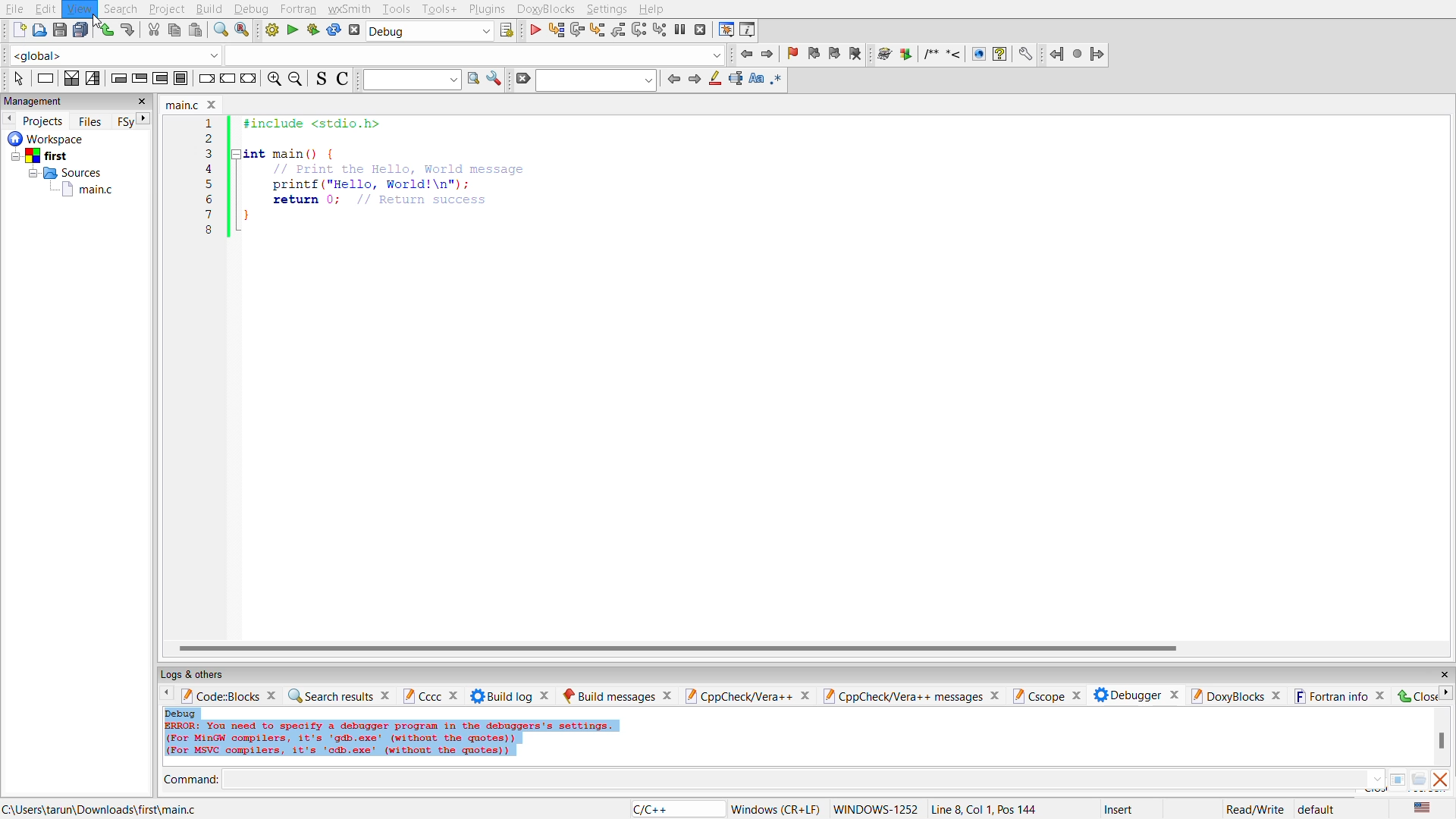  Describe the element at coordinates (1235, 695) in the screenshot. I see `doxyblocks` at that location.